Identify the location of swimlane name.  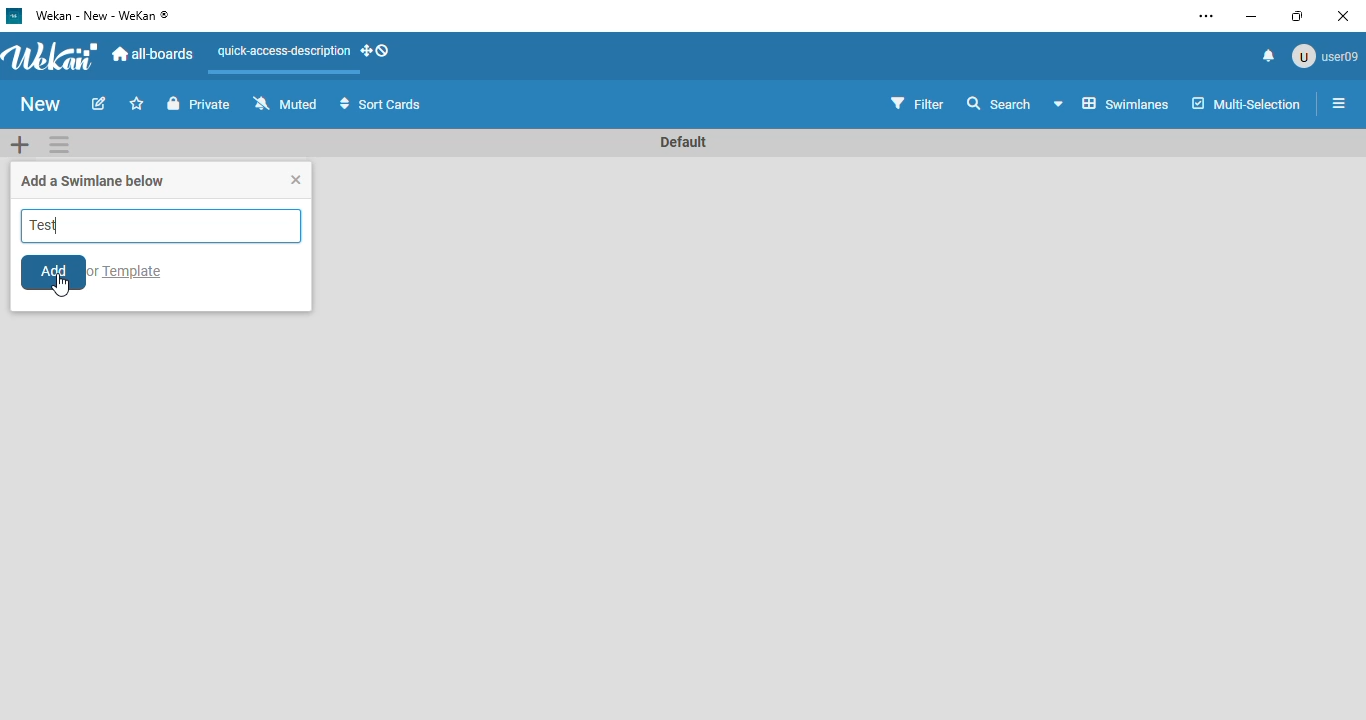
(685, 142).